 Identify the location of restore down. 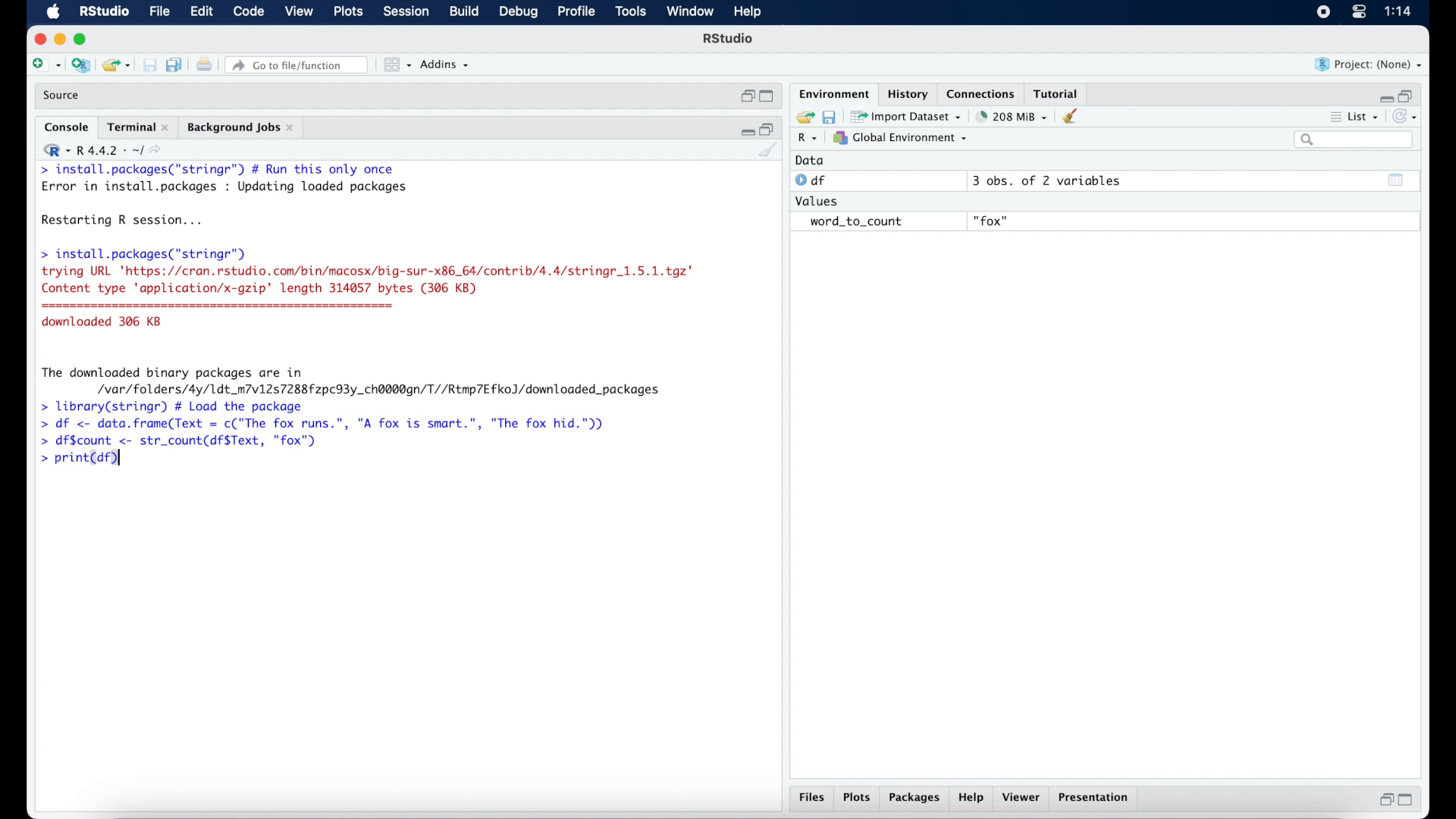
(1384, 799).